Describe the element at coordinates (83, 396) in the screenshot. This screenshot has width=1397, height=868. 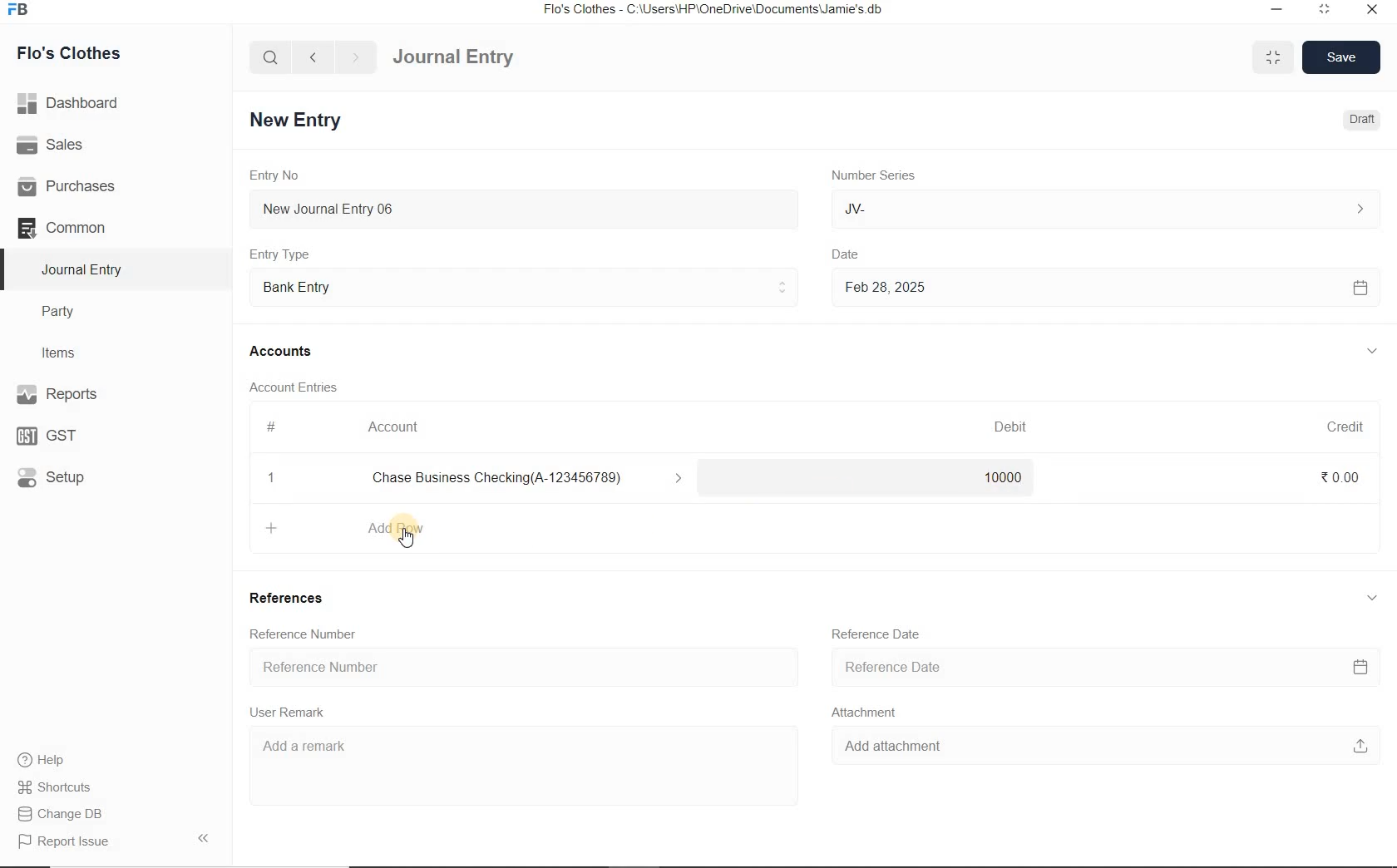
I see `Reports` at that location.